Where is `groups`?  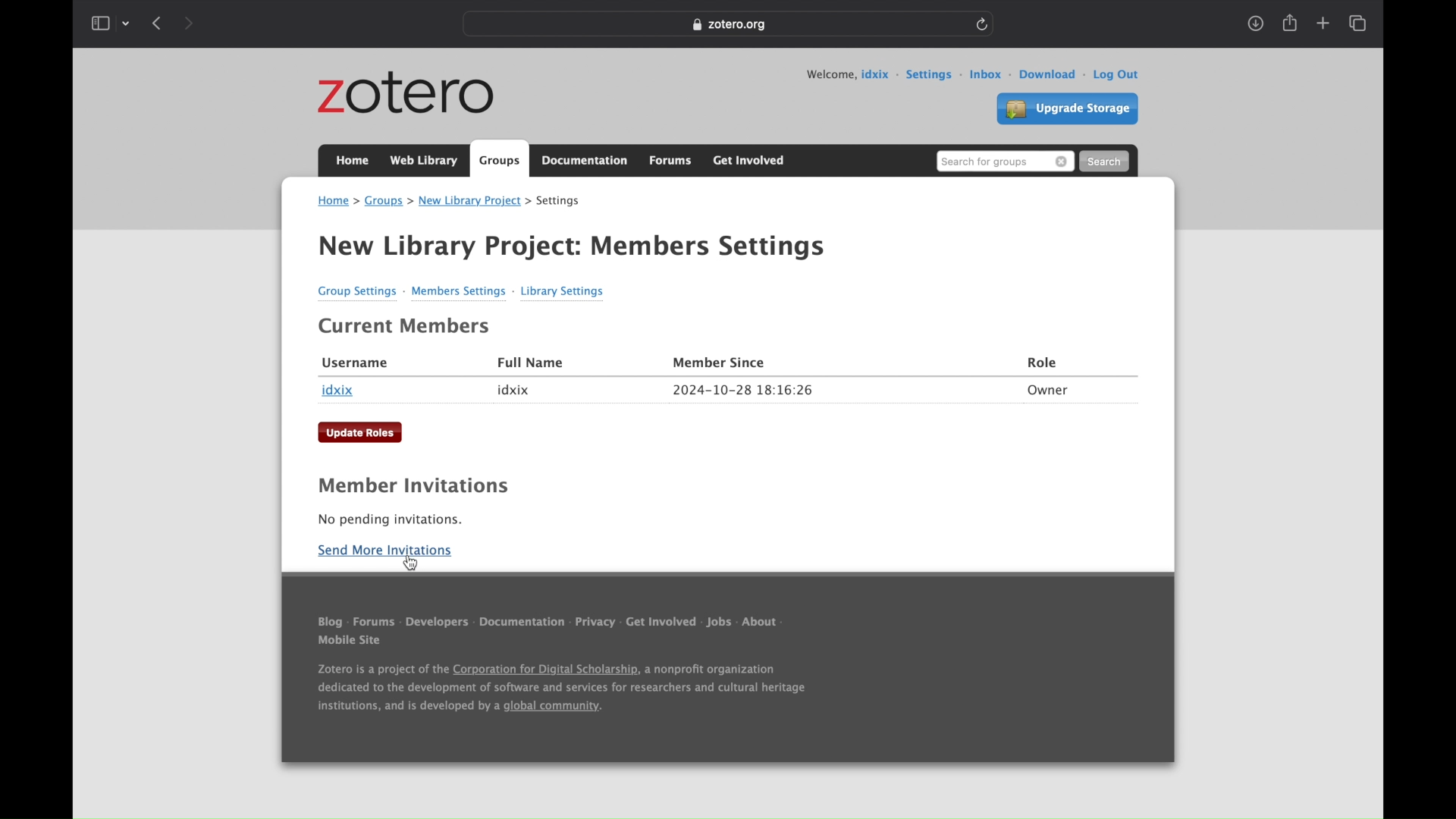
groups is located at coordinates (388, 201).